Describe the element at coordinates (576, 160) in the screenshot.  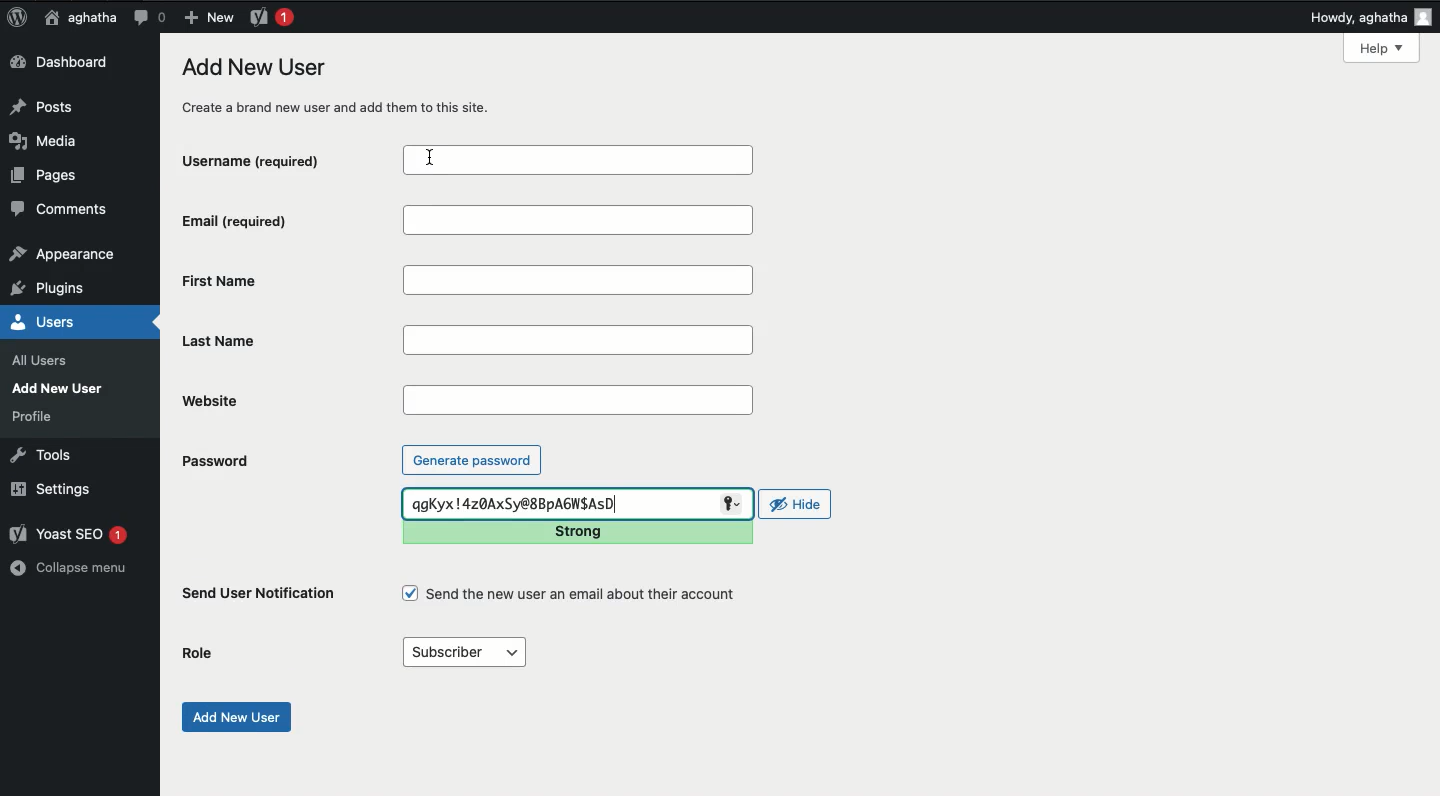
I see `username` at that location.